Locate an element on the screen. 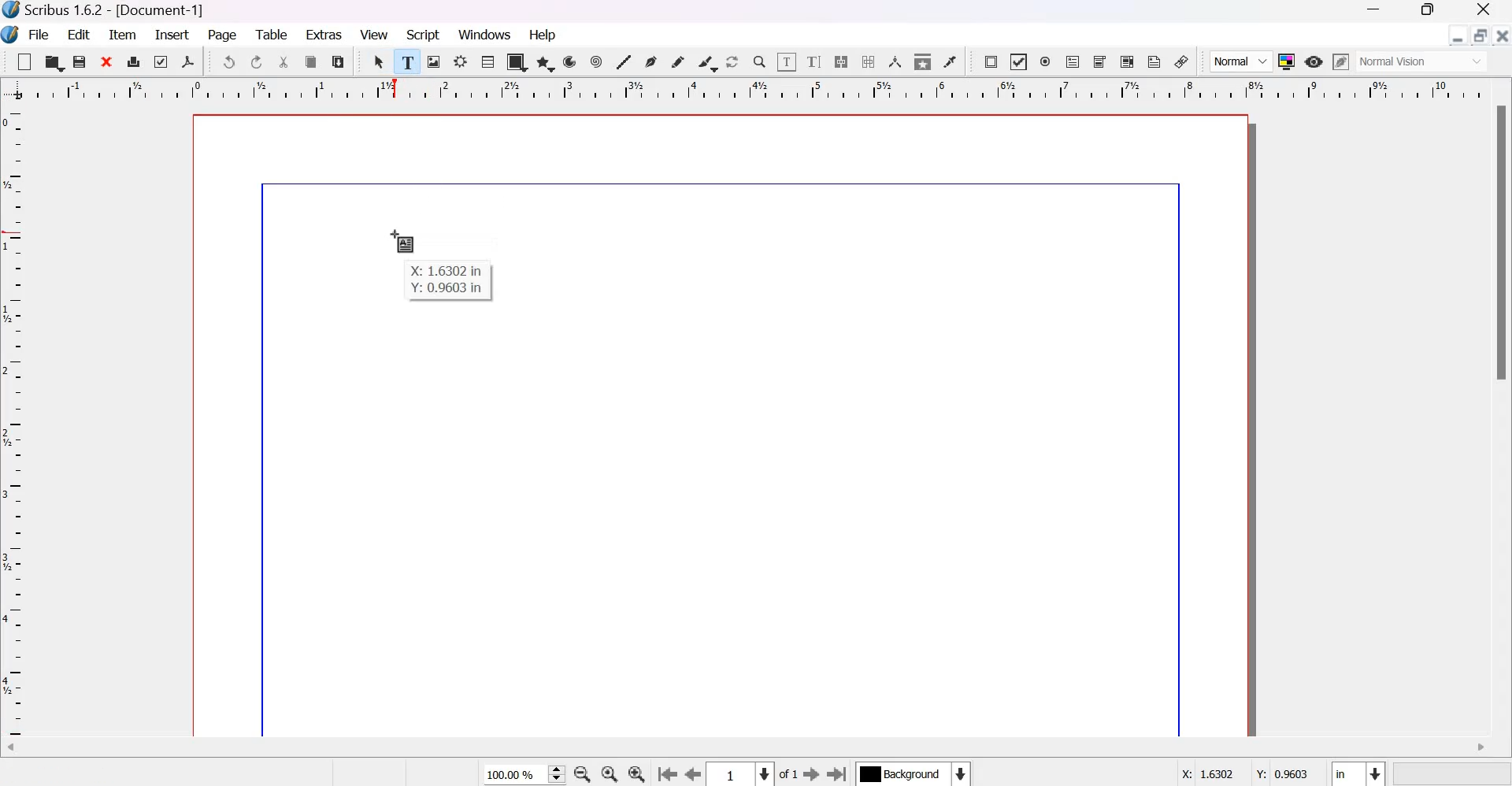 The height and width of the screenshot is (786, 1512). PDF push button is located at coordinates (991, 62).